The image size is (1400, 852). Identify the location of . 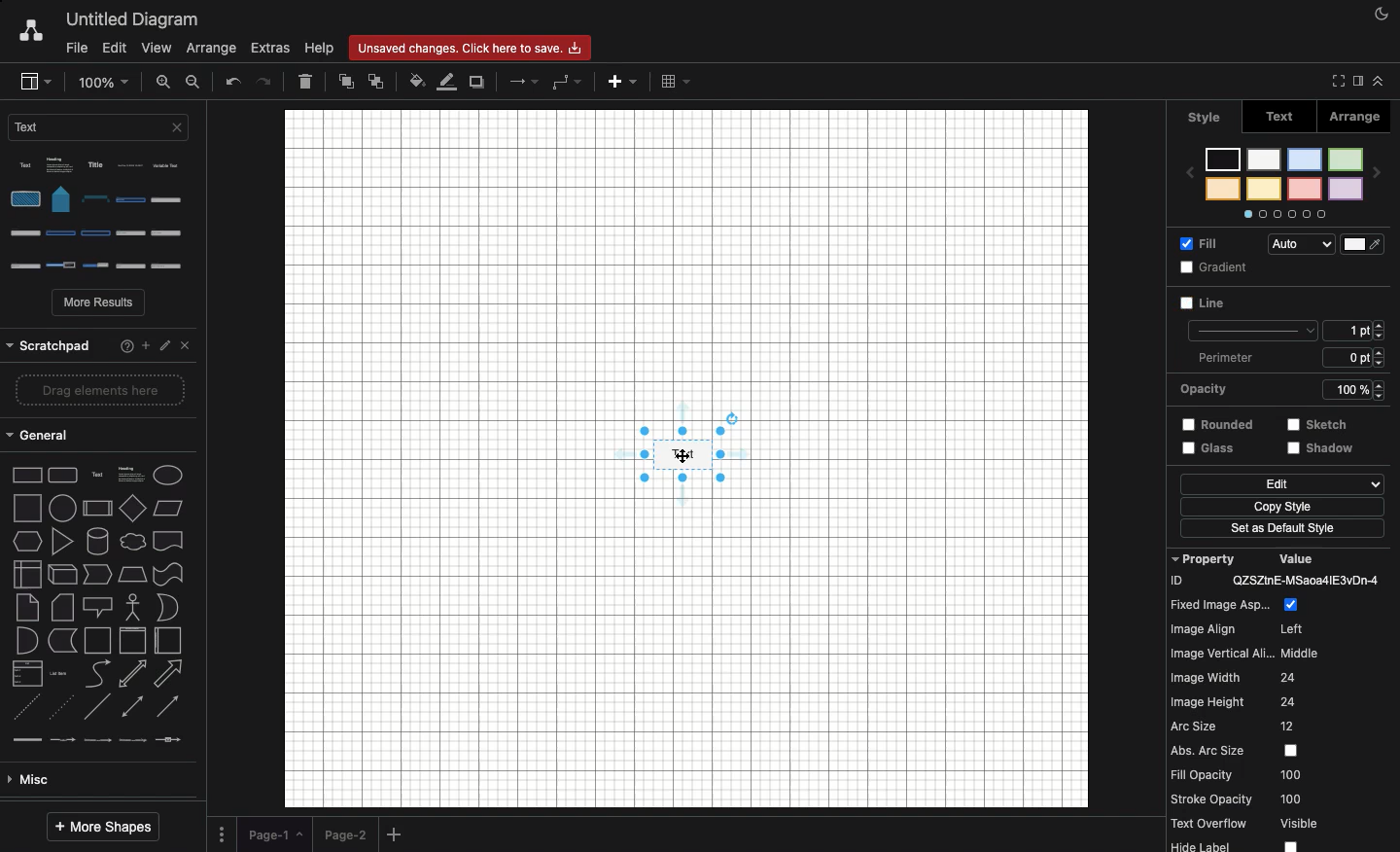
(1278, 531).